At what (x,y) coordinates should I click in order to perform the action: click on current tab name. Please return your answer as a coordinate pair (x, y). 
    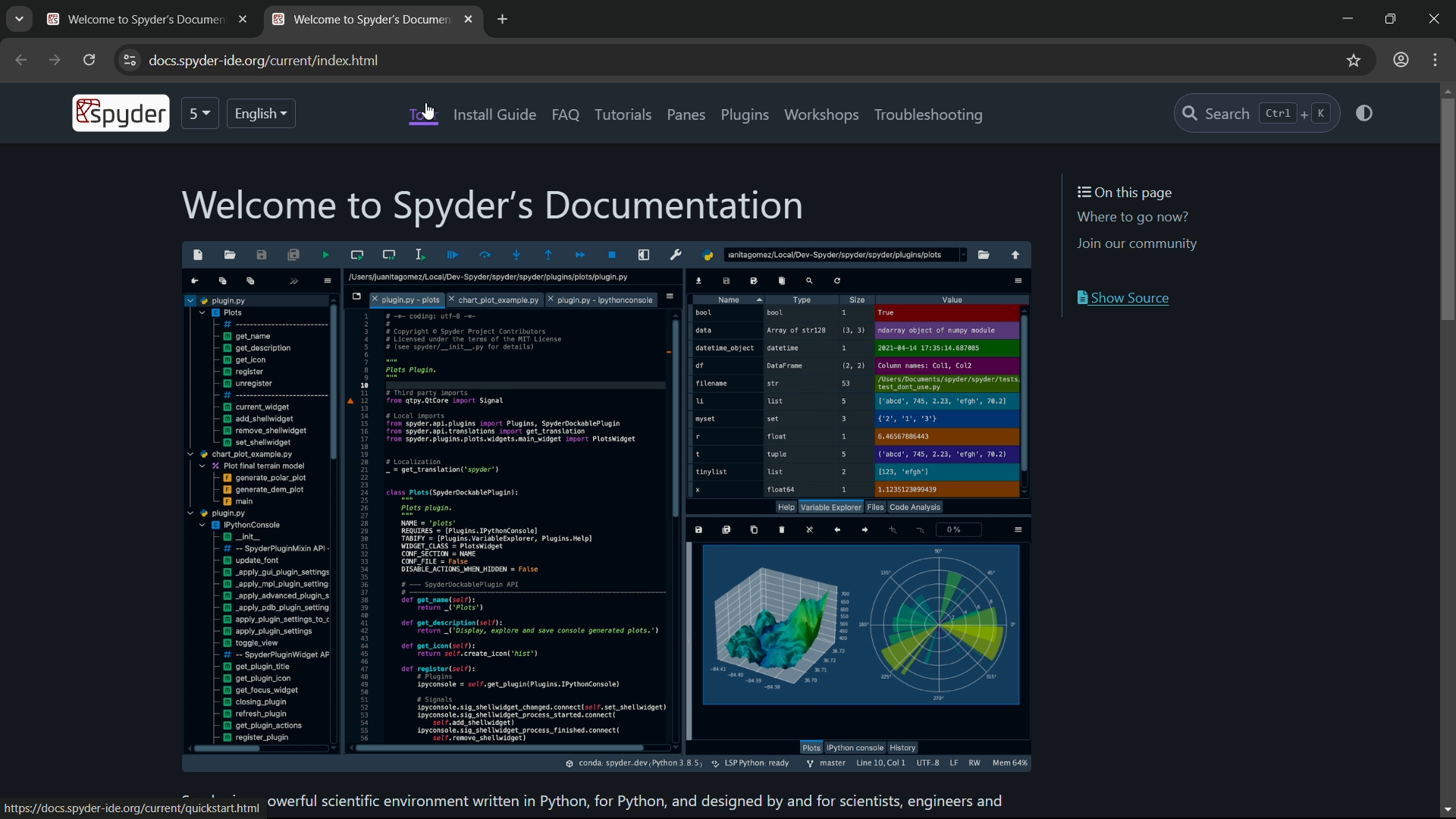
    Looking at the image, I should click on (359, 19).